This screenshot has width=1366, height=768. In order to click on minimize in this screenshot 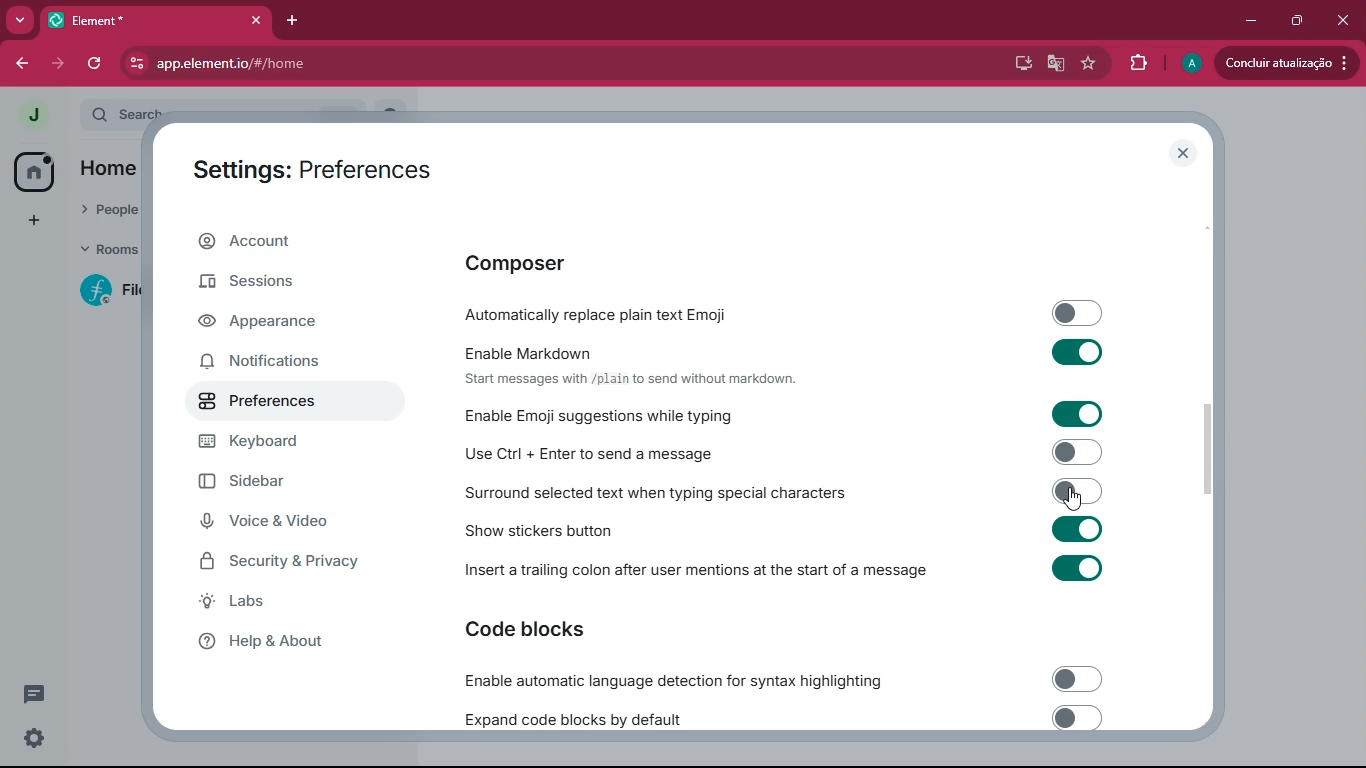, I will do `click(1244, 19)`.